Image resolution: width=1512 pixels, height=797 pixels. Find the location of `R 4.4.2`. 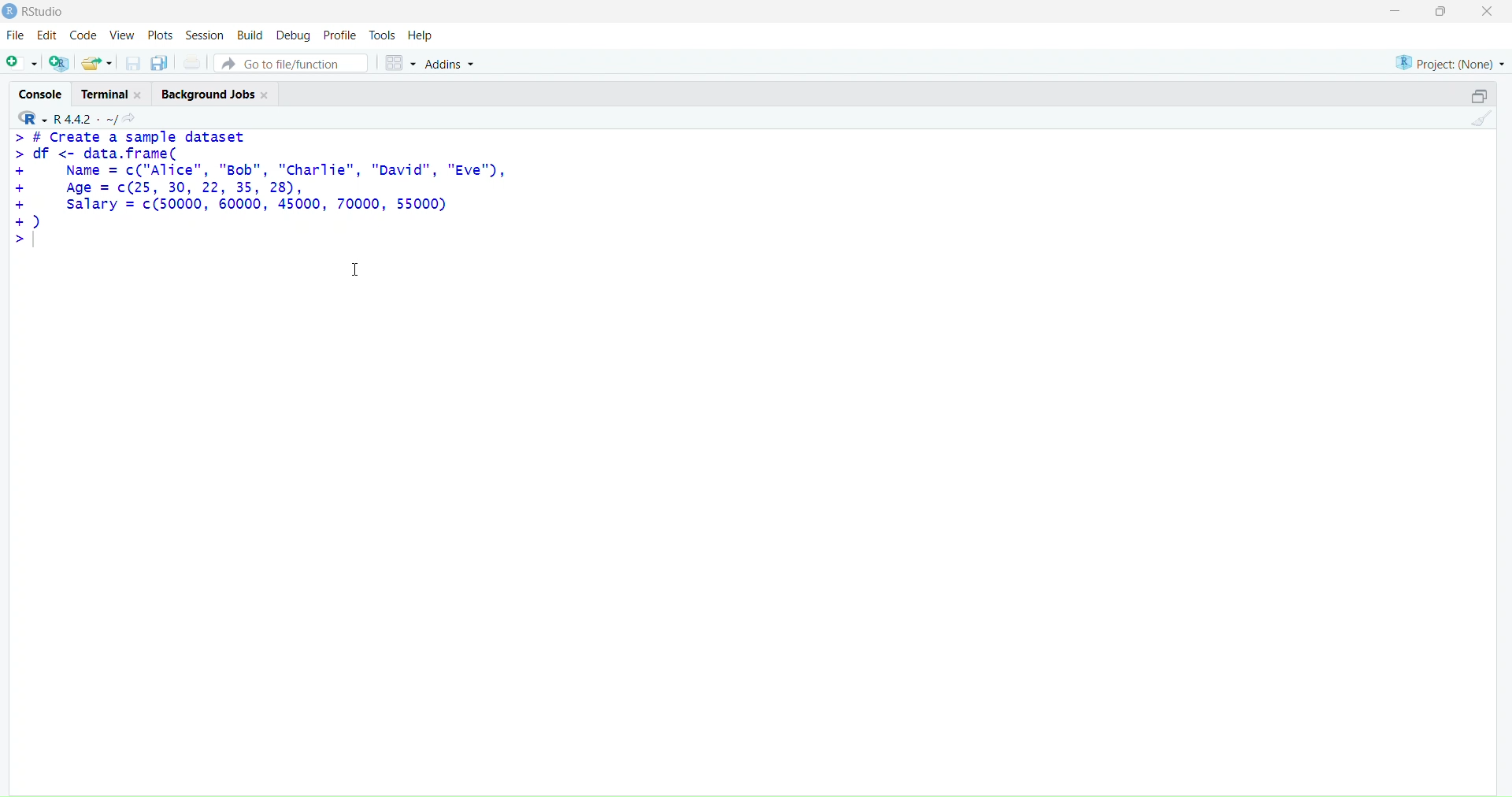

R 4.4.2 is located at coordinates (64, 118).